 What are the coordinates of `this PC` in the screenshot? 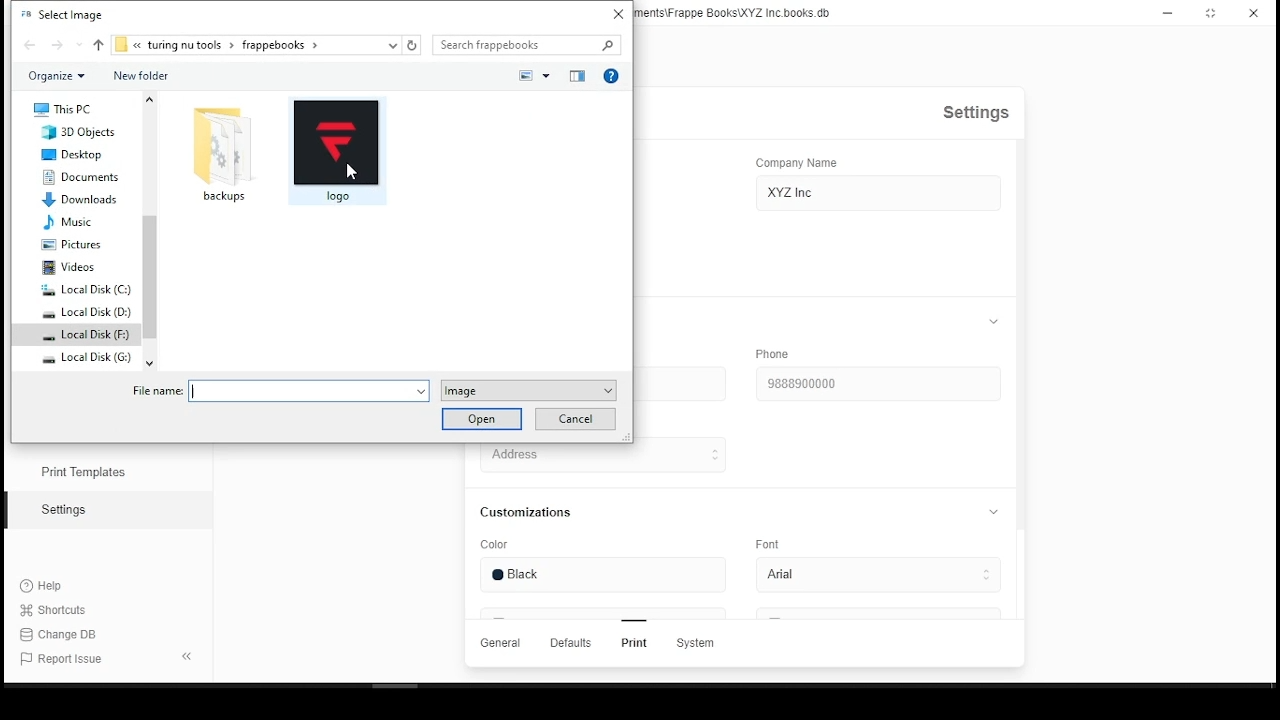 It's located at (64, 109).